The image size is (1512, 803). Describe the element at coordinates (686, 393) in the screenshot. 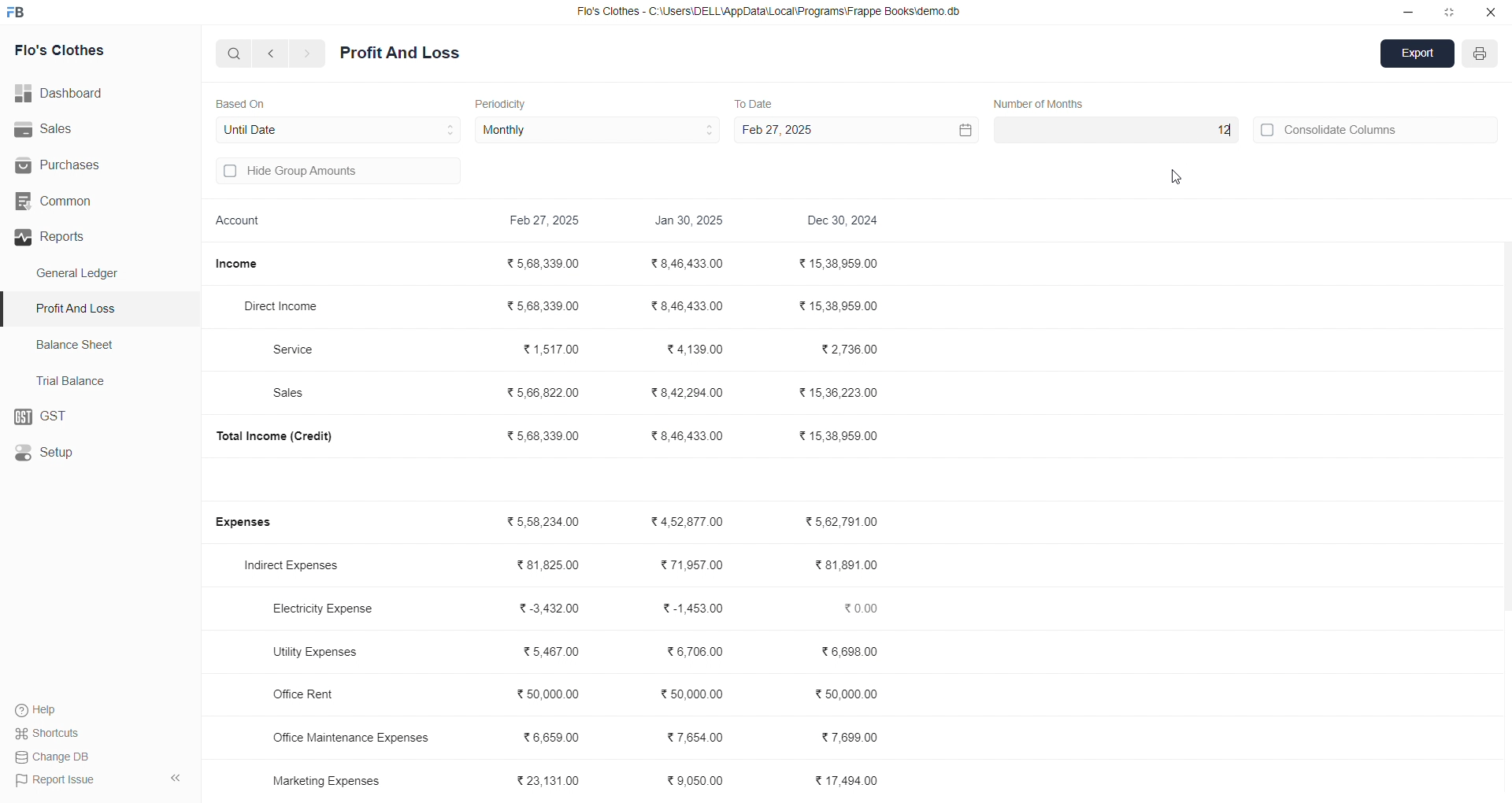

I see `₹8,42,294.00` at that location.